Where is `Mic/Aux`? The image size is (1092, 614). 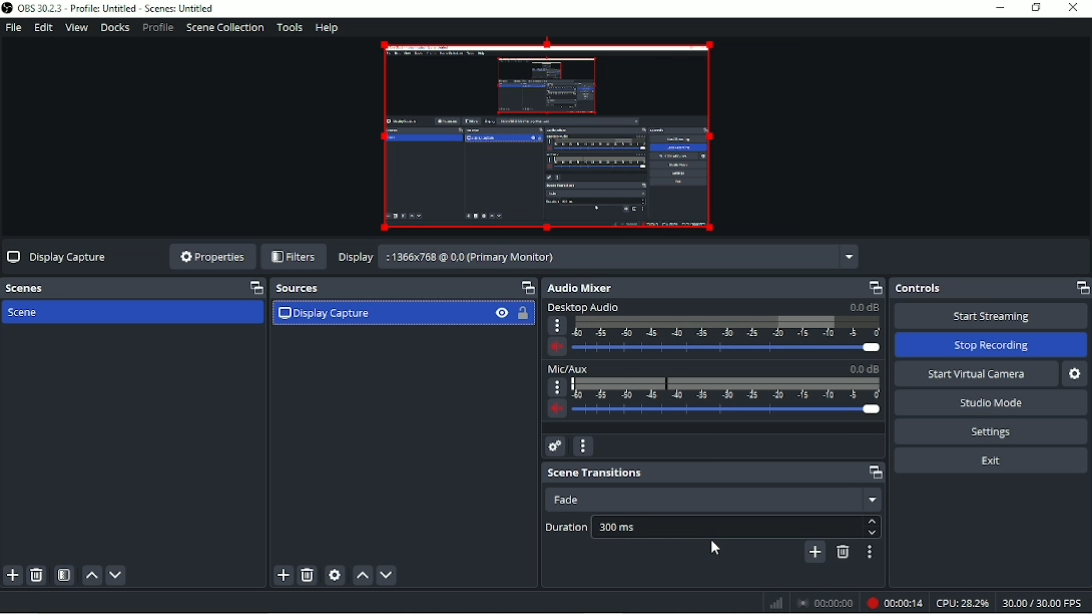
Mic/Aux is located at coordinates (713, 393).